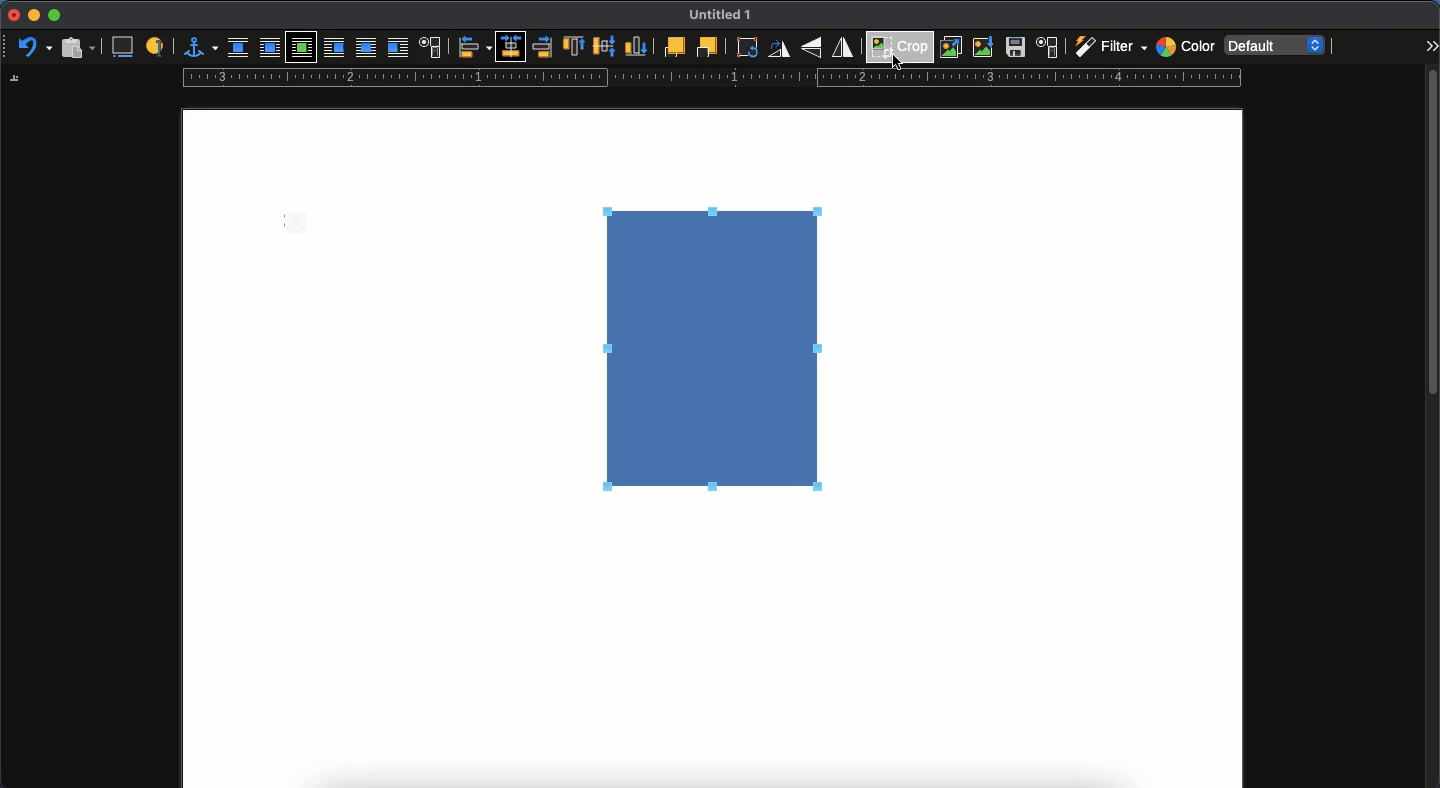  What do you see at coordinates (1185, 49) in the screenshot?
I see `color` at bounding box center [1185, 49].